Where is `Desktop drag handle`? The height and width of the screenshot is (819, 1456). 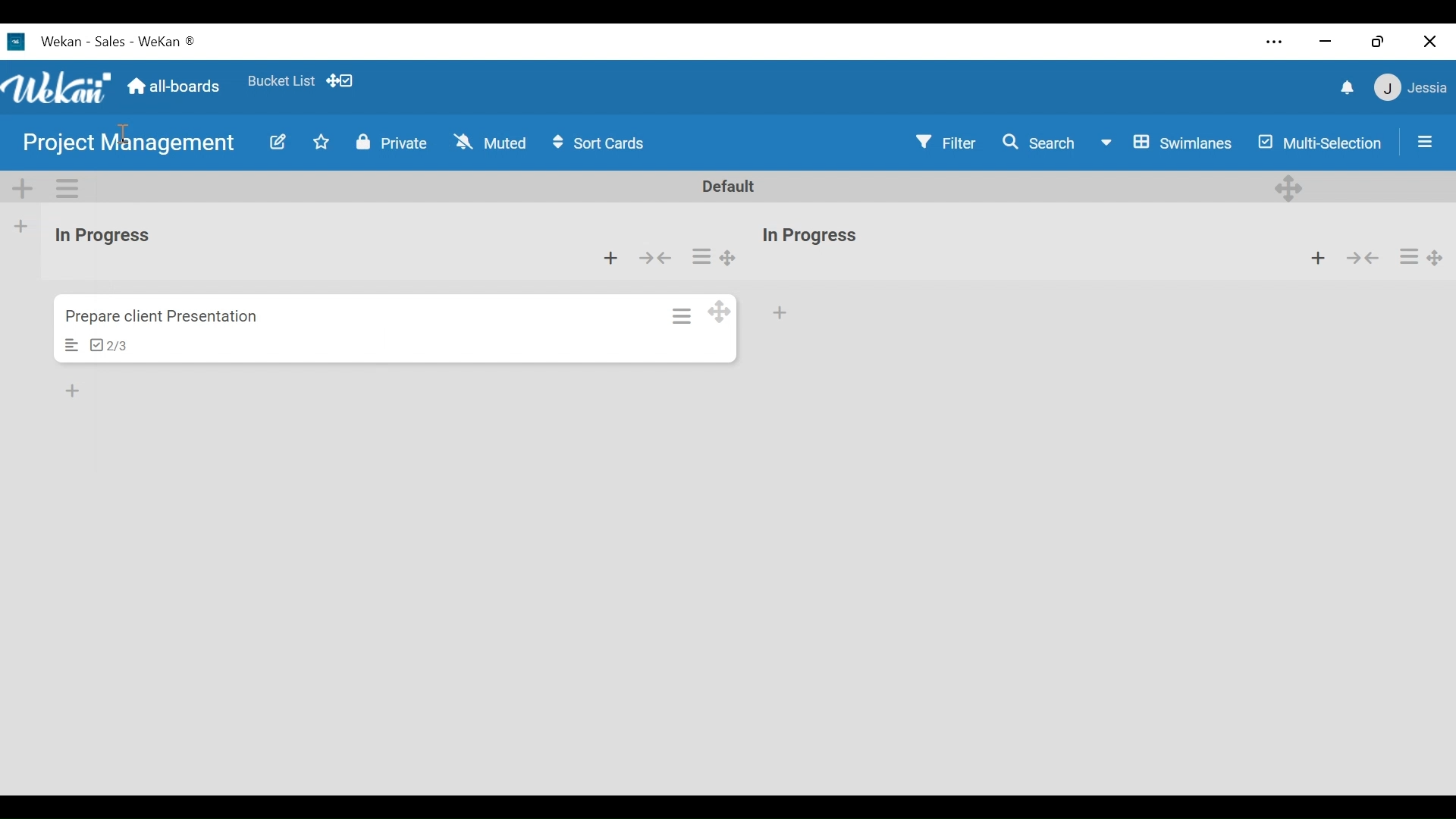
Desktop drag handle is located at coordinates (718, 311).